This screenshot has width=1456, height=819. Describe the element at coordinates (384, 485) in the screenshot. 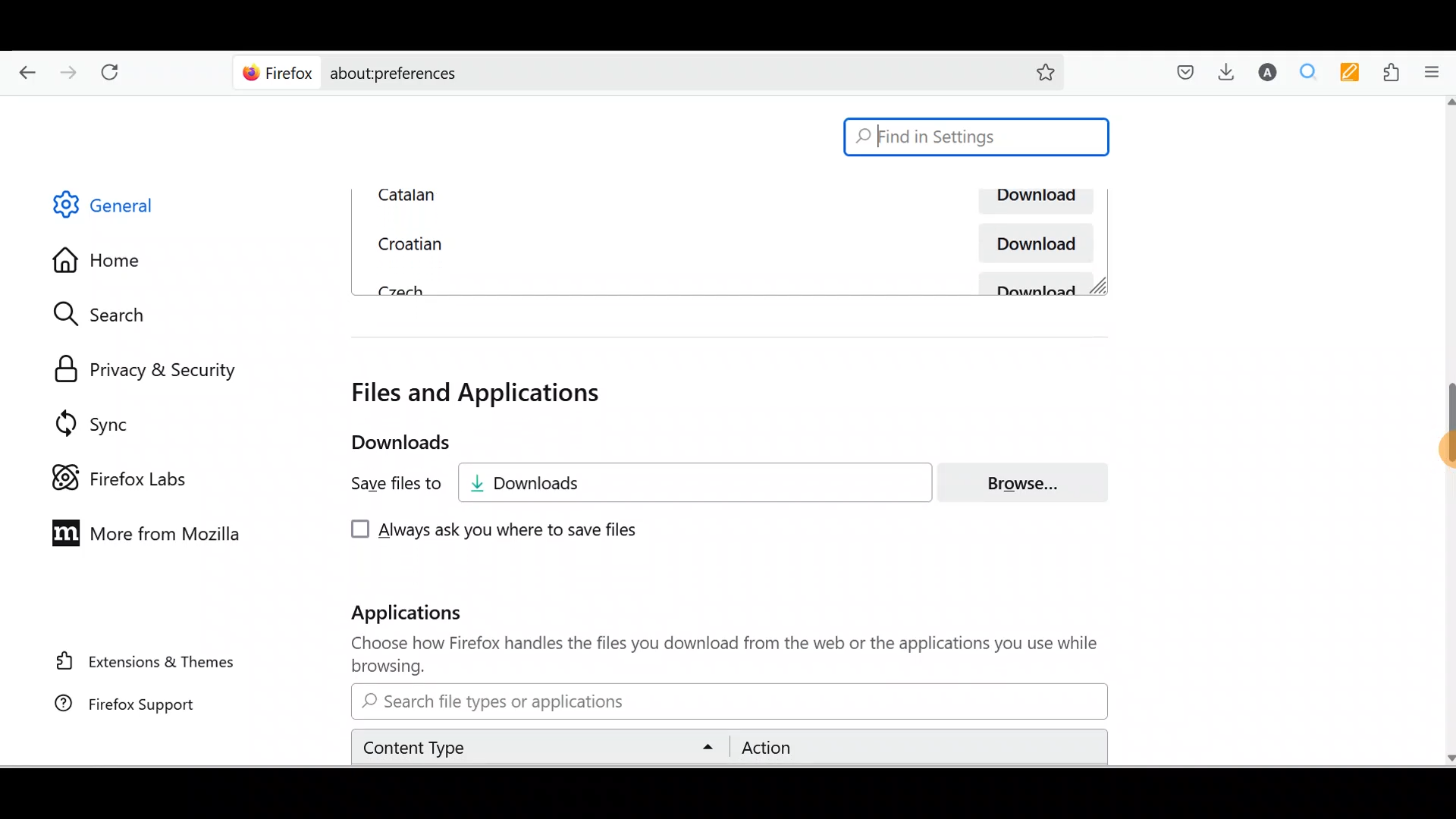

I see `Save files to` at that location.